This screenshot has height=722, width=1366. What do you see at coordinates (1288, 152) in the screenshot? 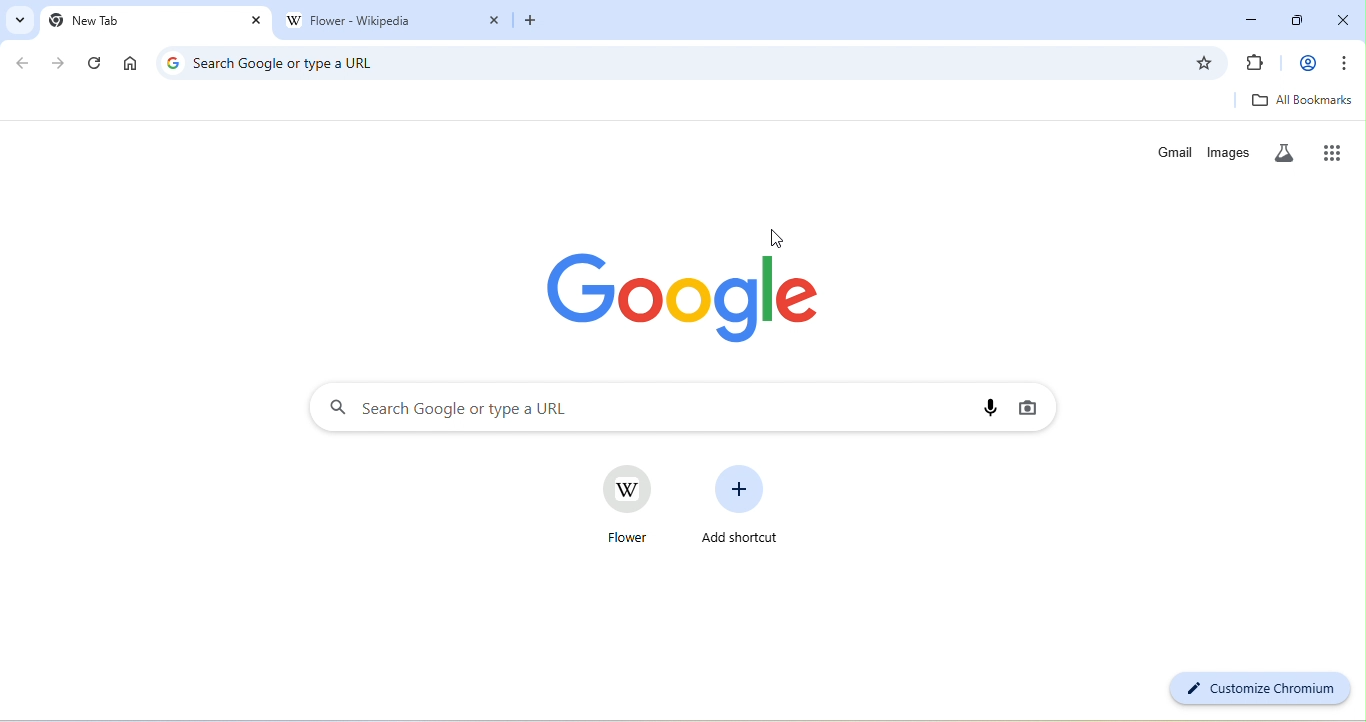
I see `search labs` at bounding box center [1288, 152].